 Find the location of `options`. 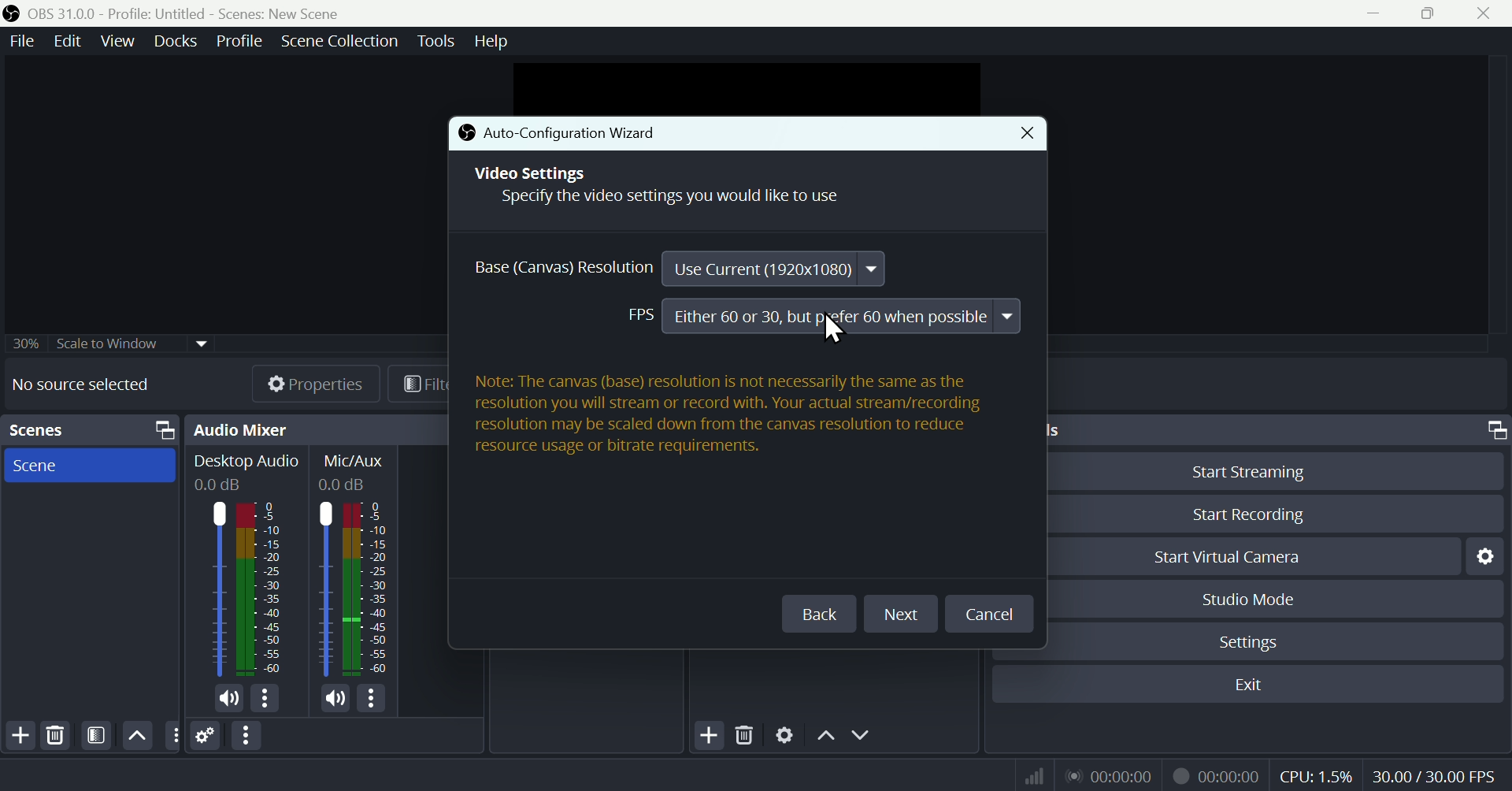

options is located at coordinates (264, 698).